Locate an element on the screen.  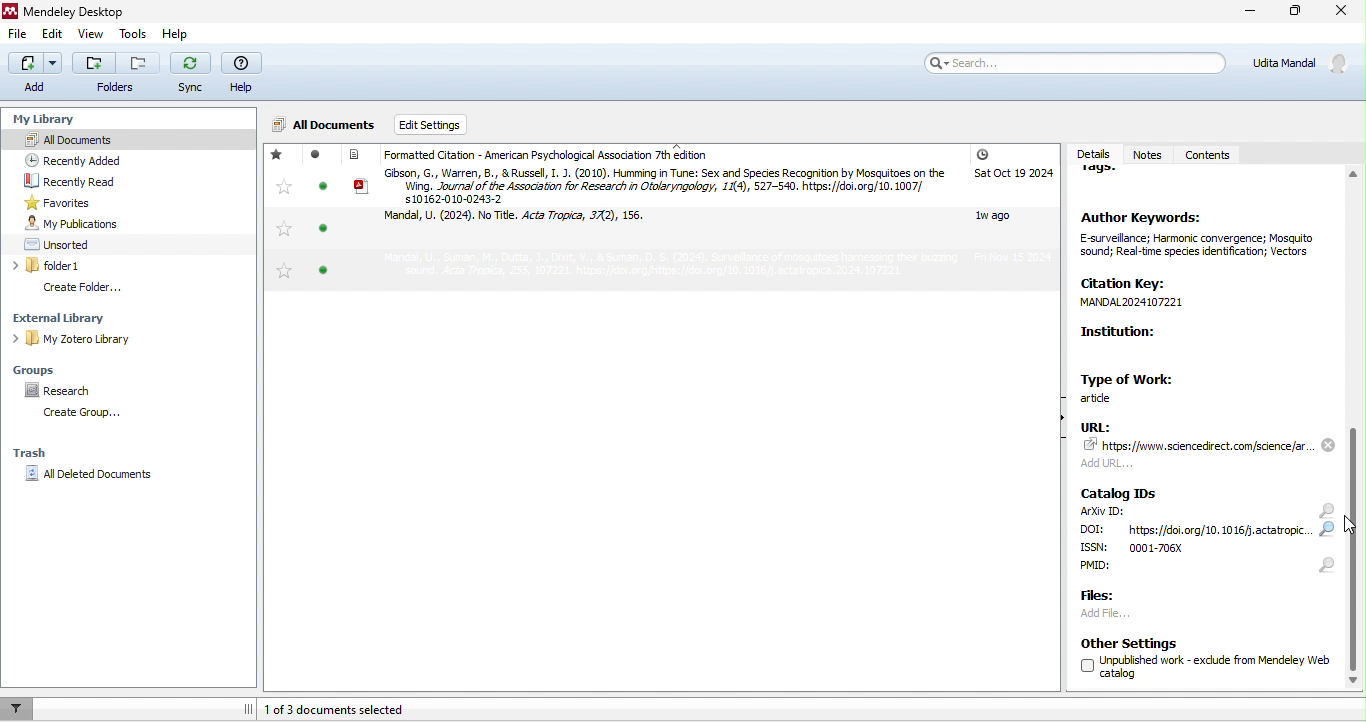
DOI is located at coordinates (1198, 530).